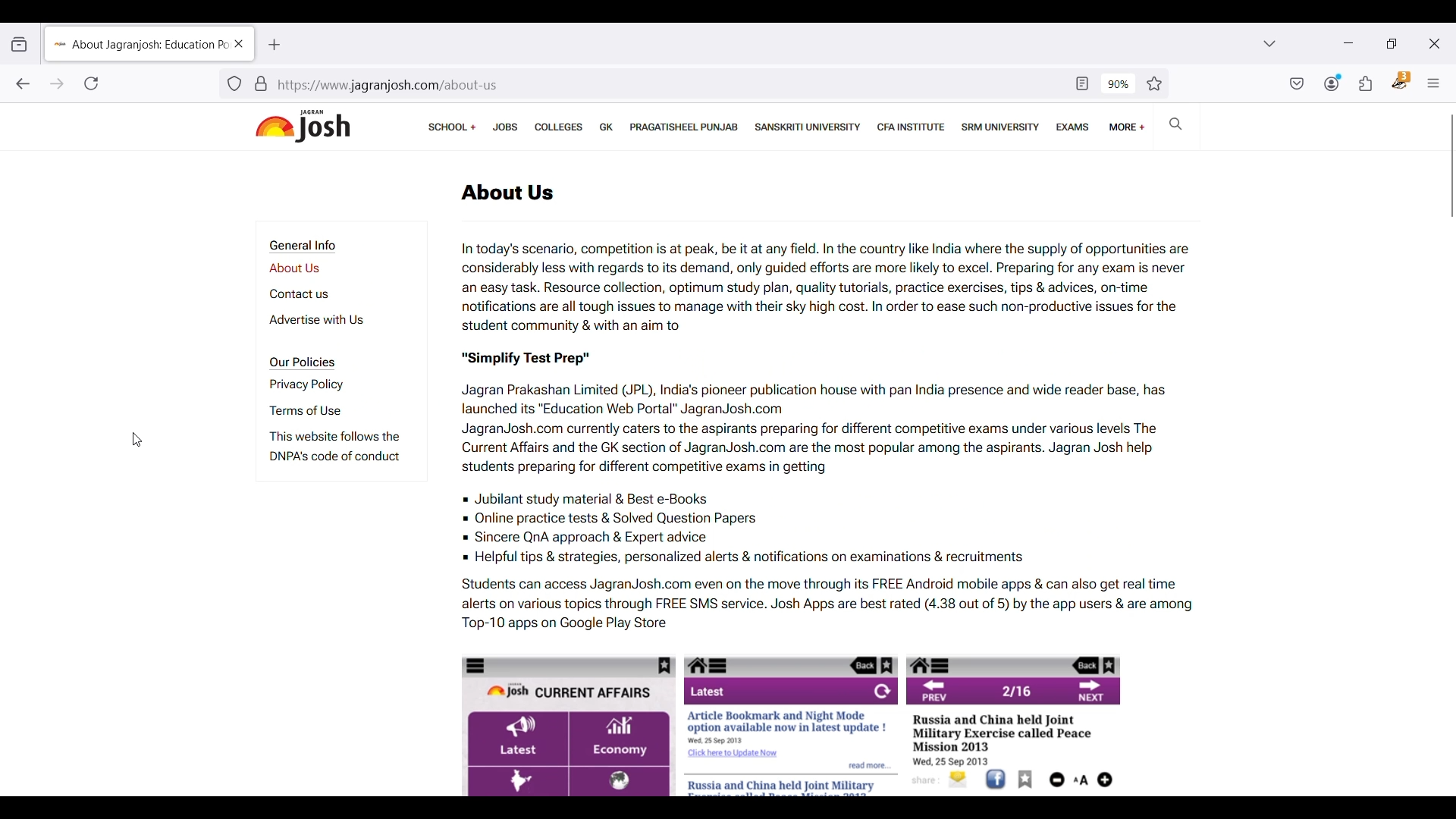 This screenshot has width=1456, height=819. What do you see at coordinates (822, 604) in the screenshot?
I see `Students can access JagranJosh.com even on the move through its FREE Android mobile apps & can also get real time
alerts on various topics through FREE SMS service. Josh Apps are best rated (4.38 out of 5) by the app users & are among
Top-10 apps on Google Play Store` at bounding box center [822, 604].